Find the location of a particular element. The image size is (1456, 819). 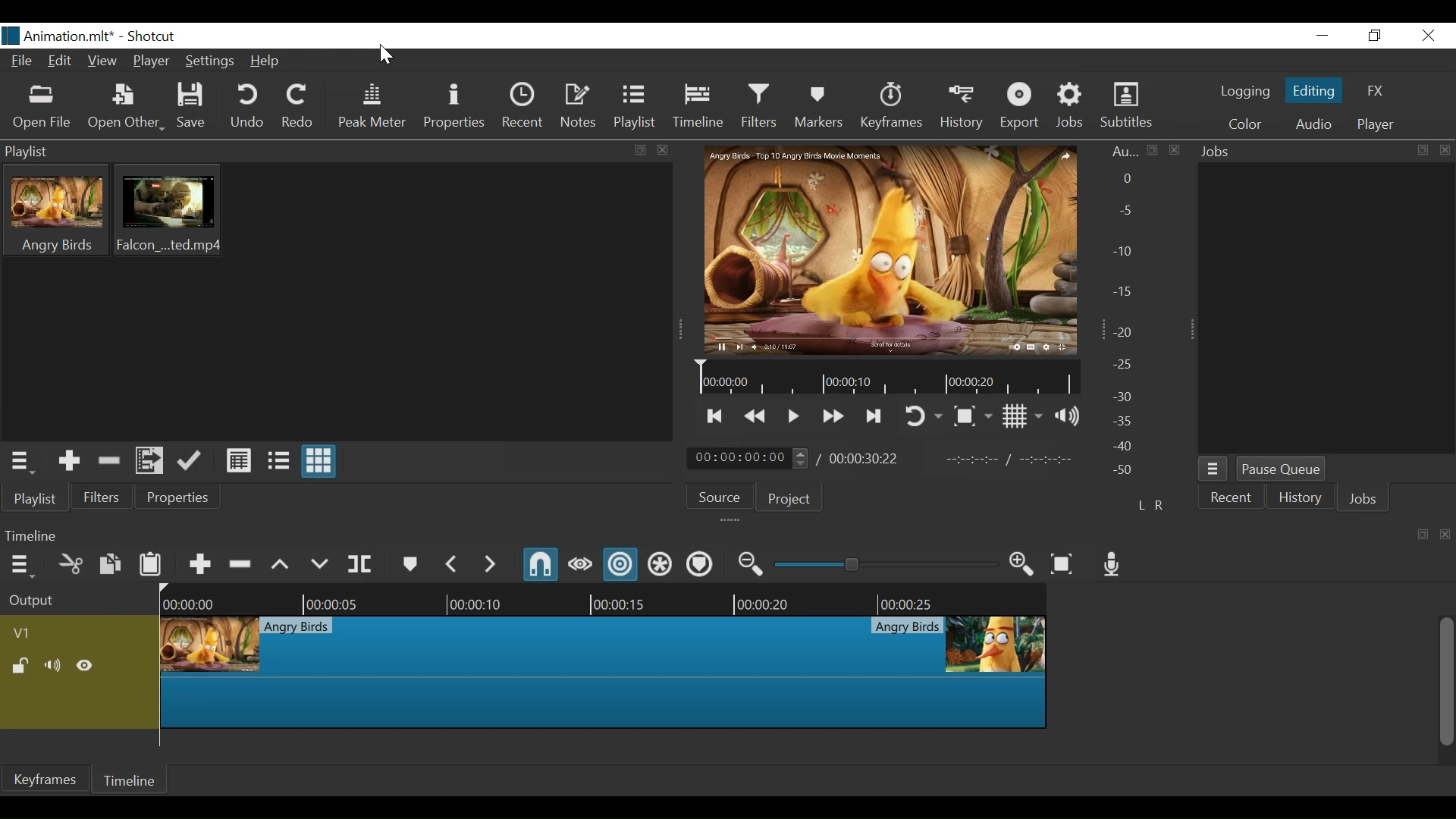

Jobs is located at coordinates (1070, 108).